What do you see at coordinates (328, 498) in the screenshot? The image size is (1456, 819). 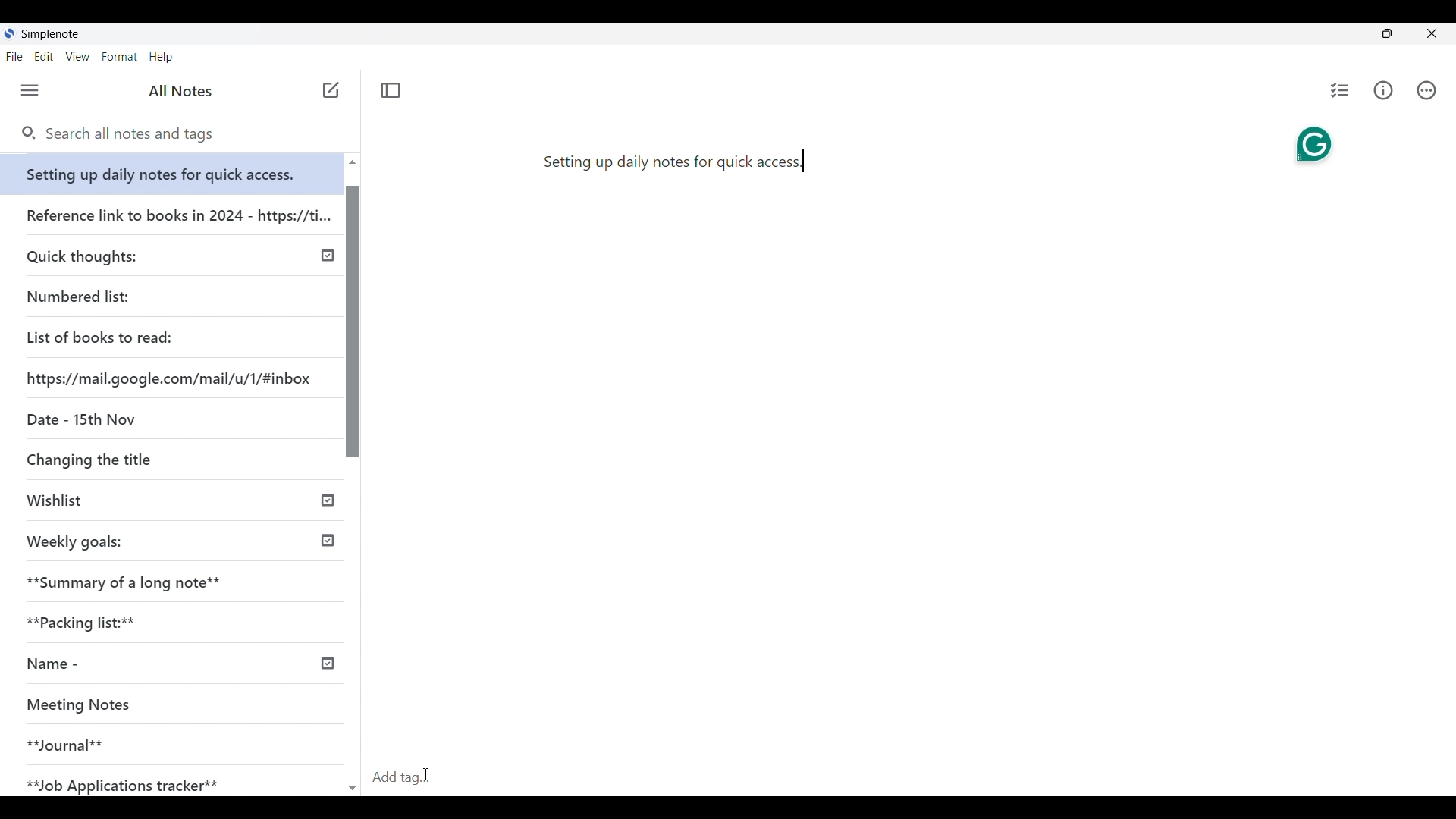 I see `published` at bounding box center [328, 498].